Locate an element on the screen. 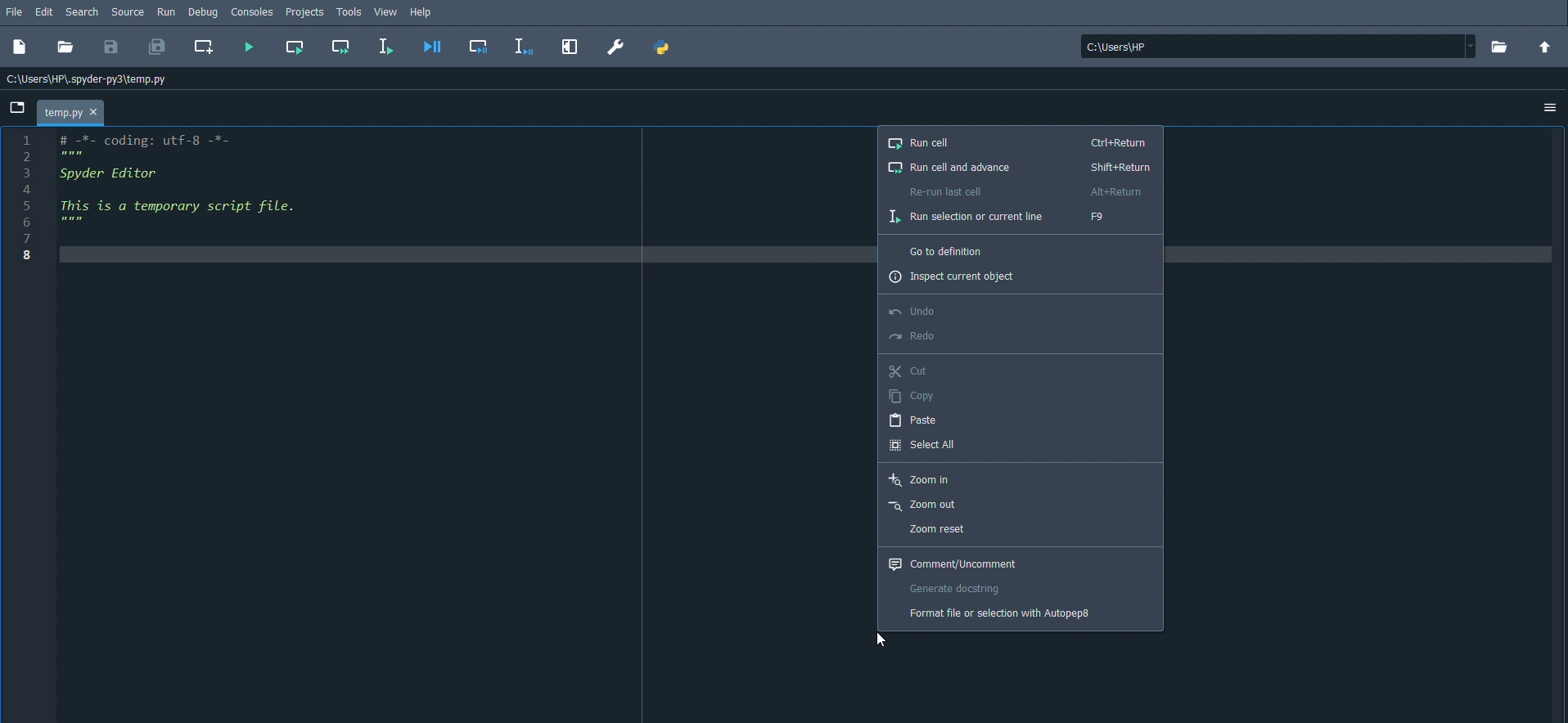  Preferences is located at coordinates (616, 47).